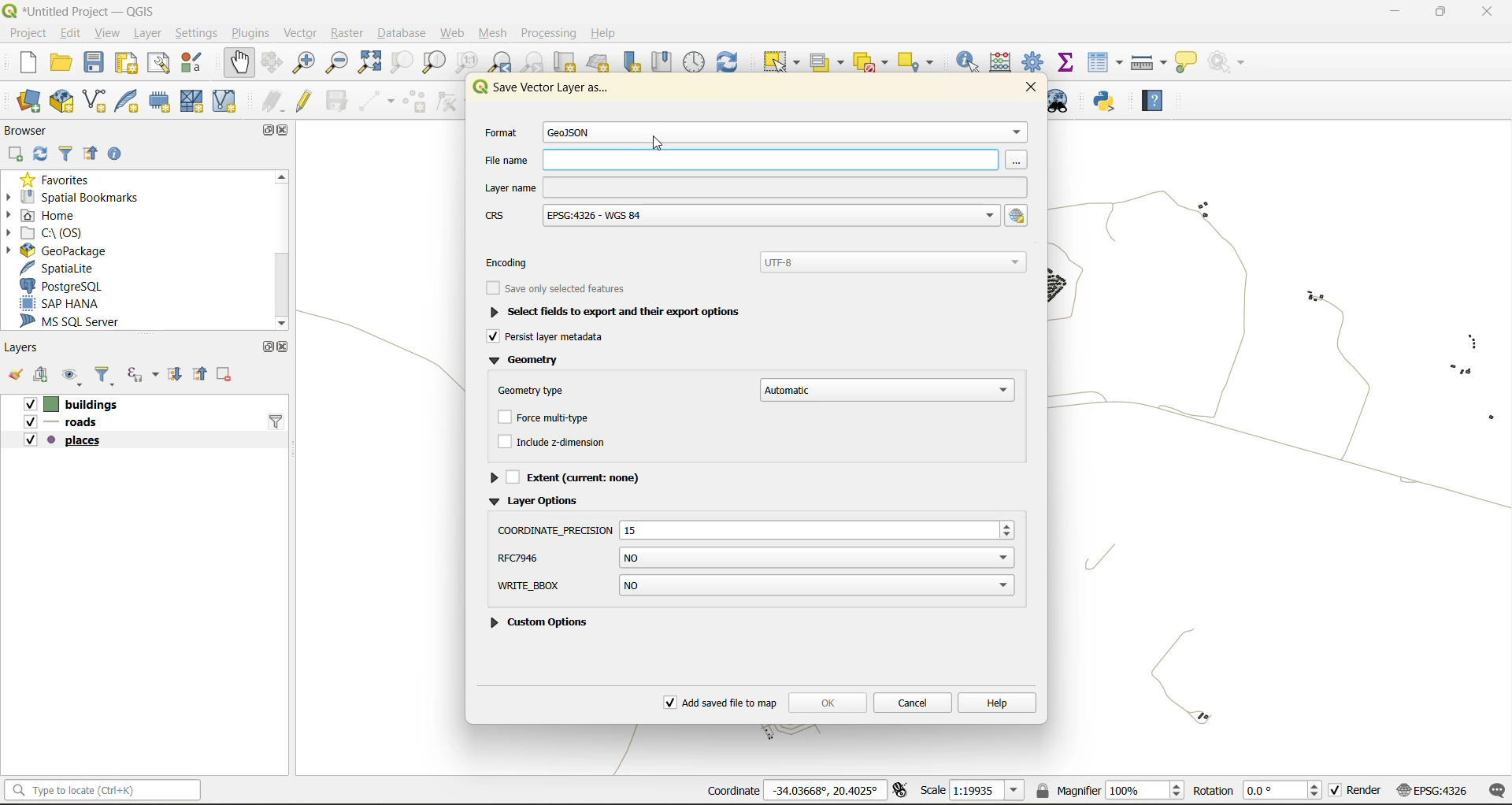 The width and height of the screenshot is (1512, 805). Describe the element at coordinates (176, 378) in the screenshot. I see `expand all` at that location.